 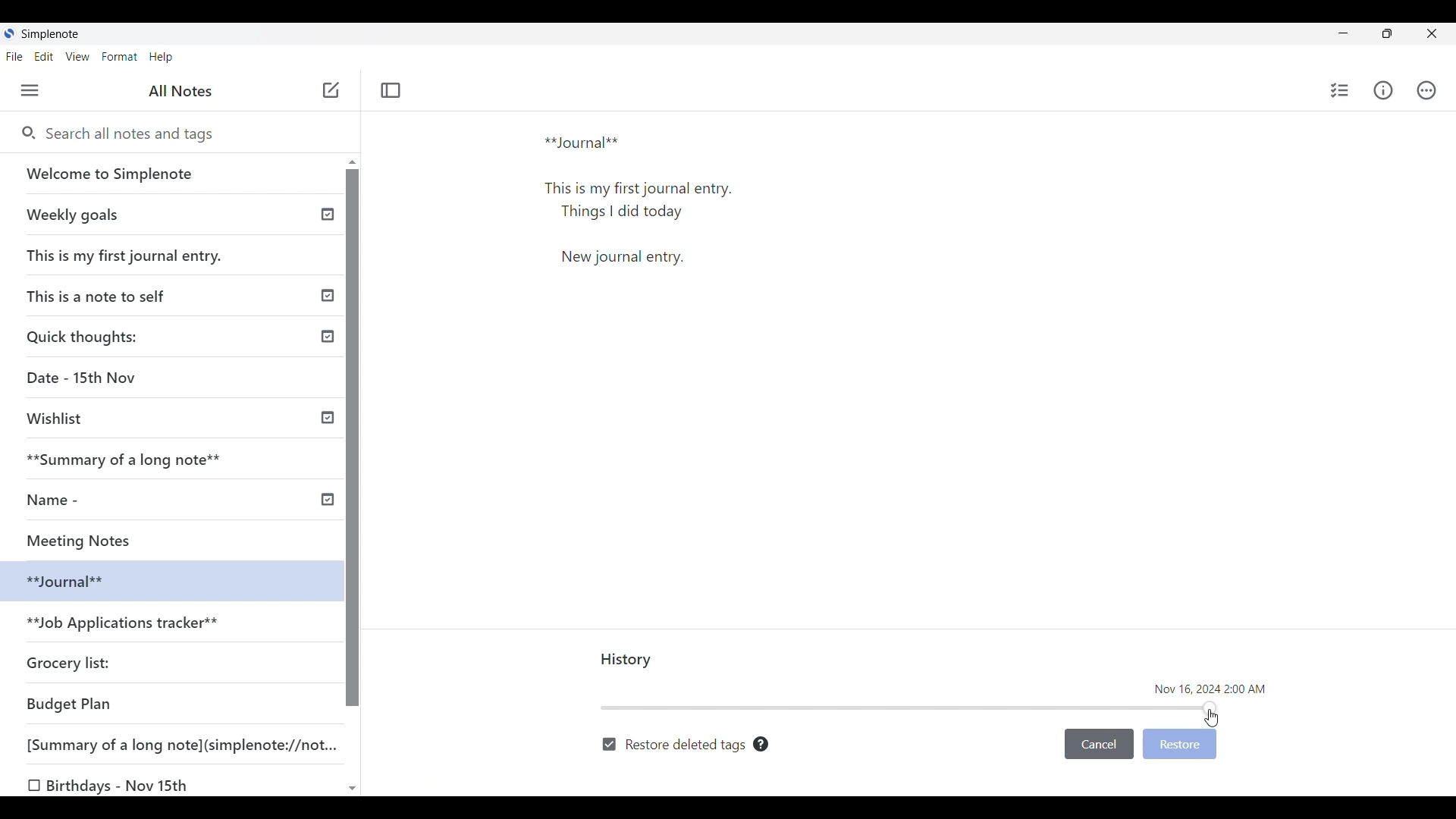 I want to click on Date - 15th Nov, so click(x=84, y=378).